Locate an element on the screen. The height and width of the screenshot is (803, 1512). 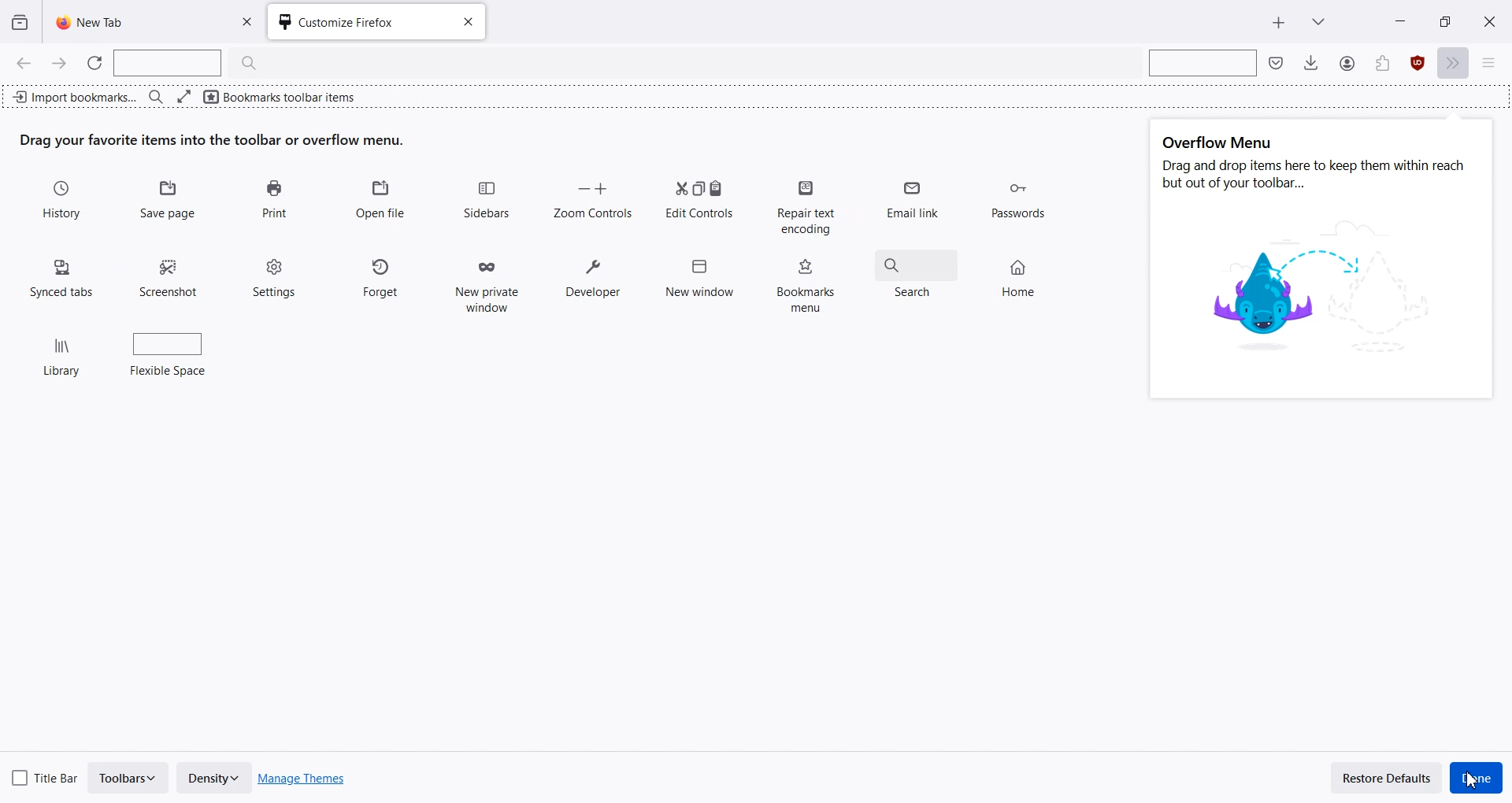
Downloads is located at coordinates (1311, 62).